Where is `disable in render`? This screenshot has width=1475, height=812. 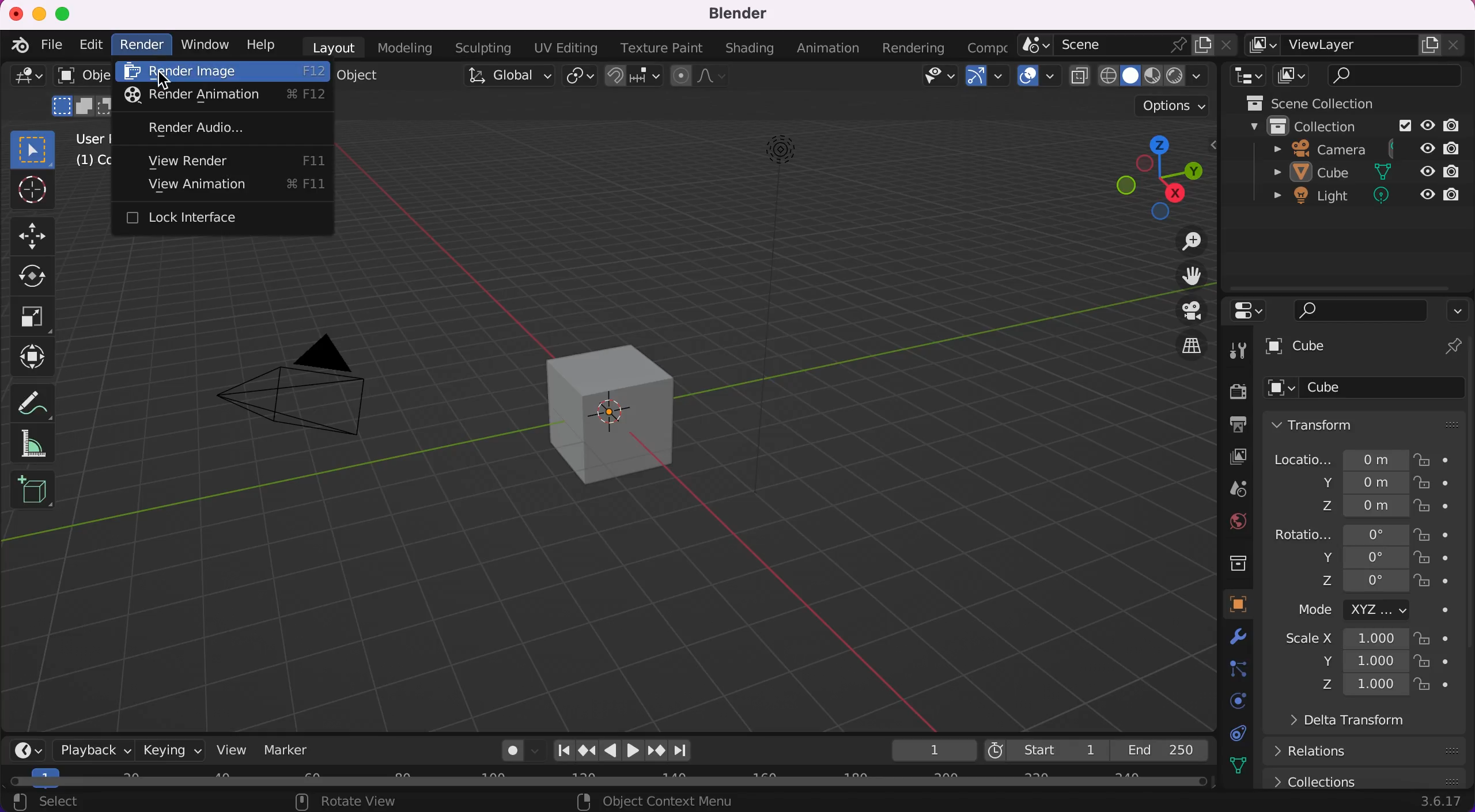 disable in render is located at coordinates (1453, 171).